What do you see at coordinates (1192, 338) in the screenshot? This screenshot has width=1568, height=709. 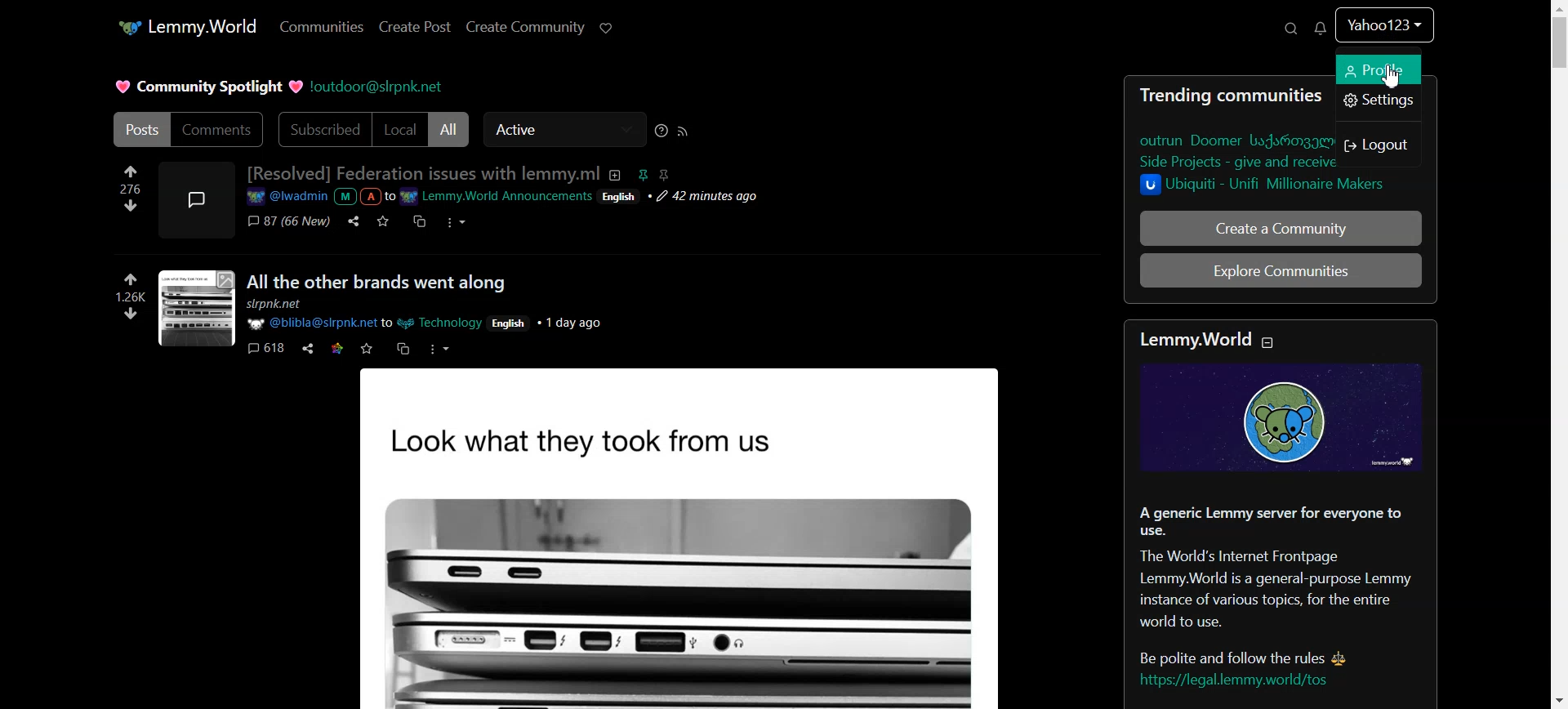 I see `lemmy.world` at bounding box center [1192, 338].